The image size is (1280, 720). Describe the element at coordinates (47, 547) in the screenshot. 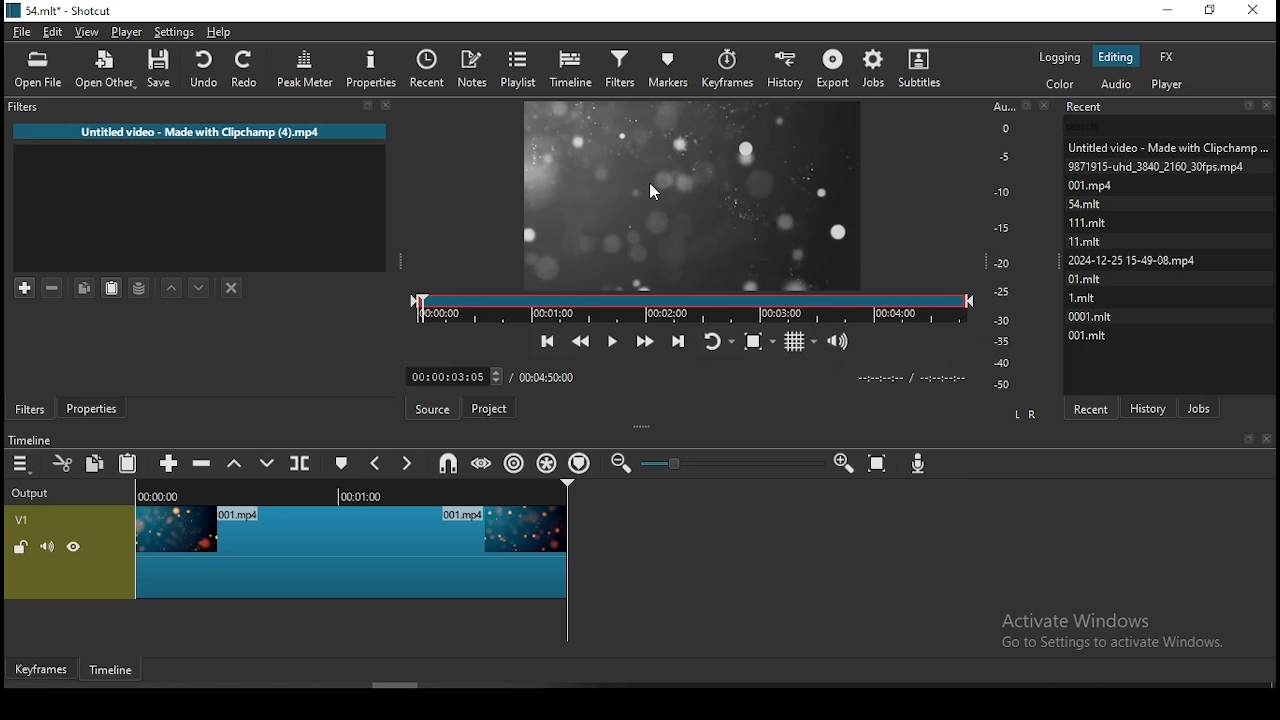

I see `(un)mute` at that location.